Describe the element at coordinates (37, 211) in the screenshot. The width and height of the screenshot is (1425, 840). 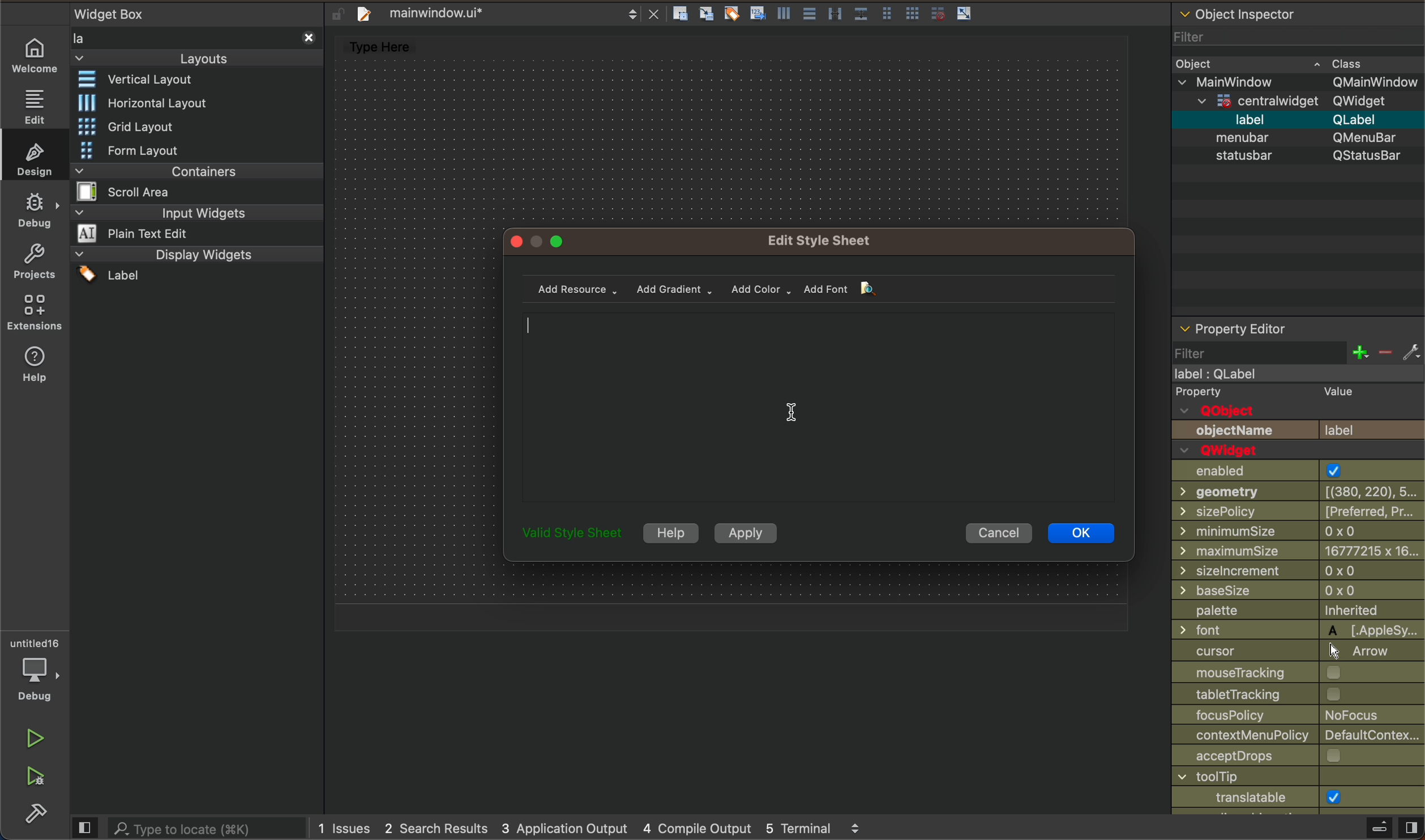
I see `debug` at that location.